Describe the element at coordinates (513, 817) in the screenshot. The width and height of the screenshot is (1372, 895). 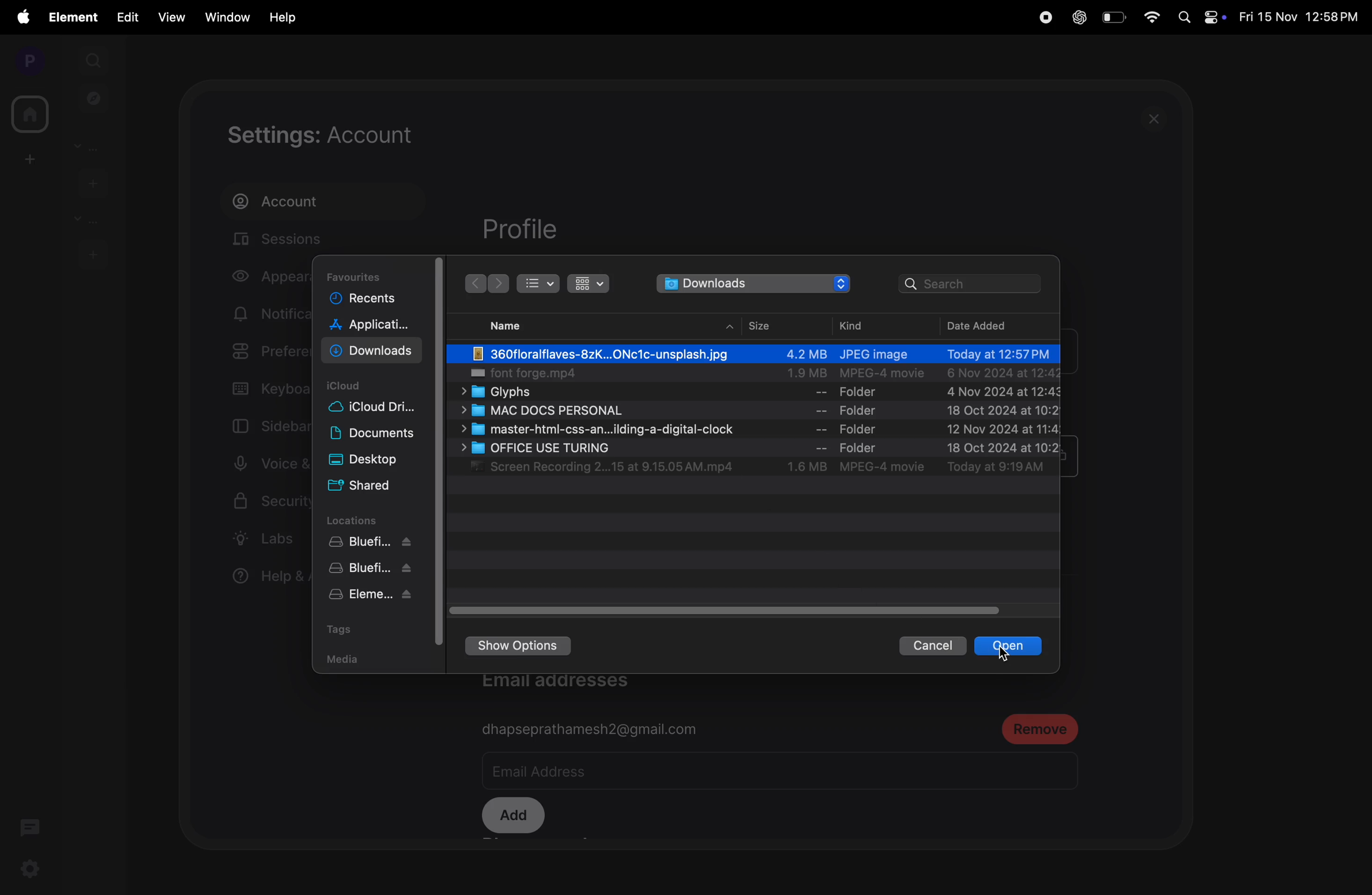
I see `add` at that location.